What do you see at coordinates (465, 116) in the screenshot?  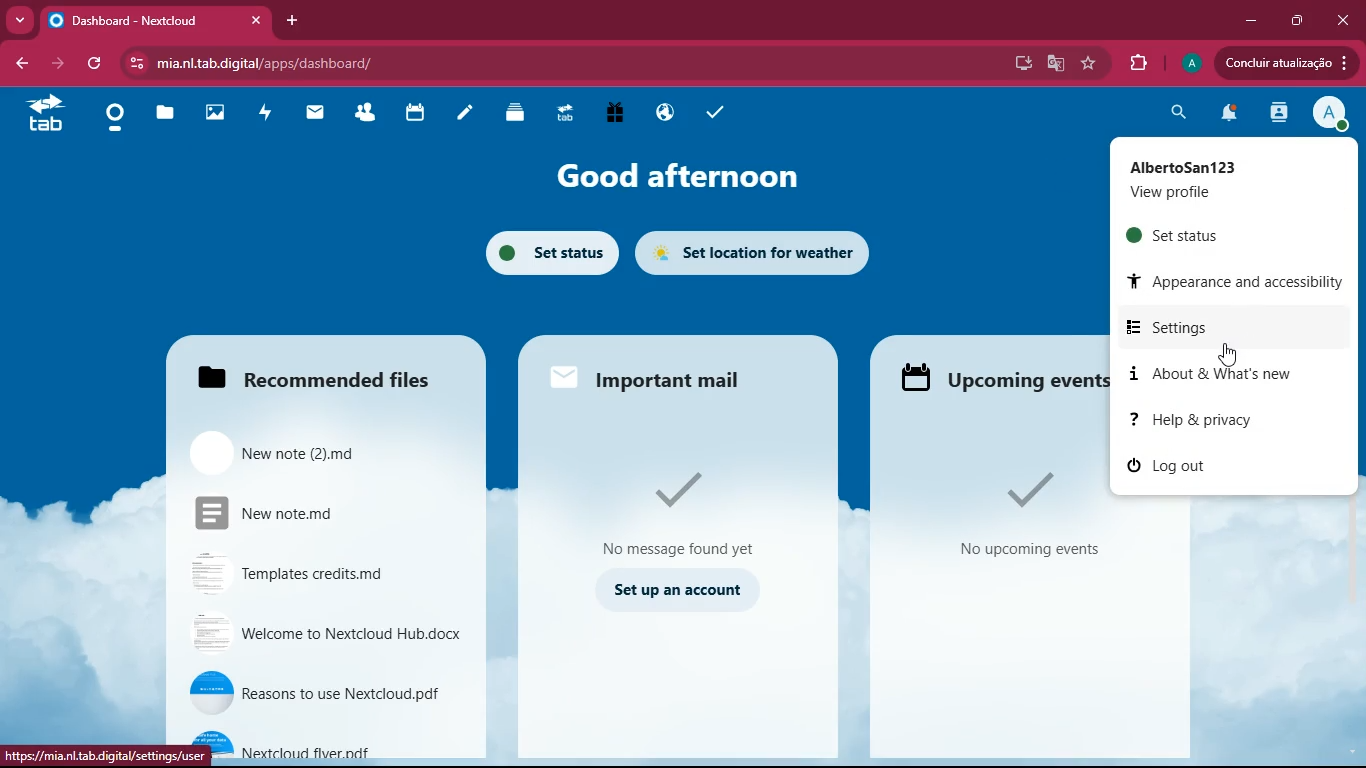 I see `notes` at bounding box center [465, 116].